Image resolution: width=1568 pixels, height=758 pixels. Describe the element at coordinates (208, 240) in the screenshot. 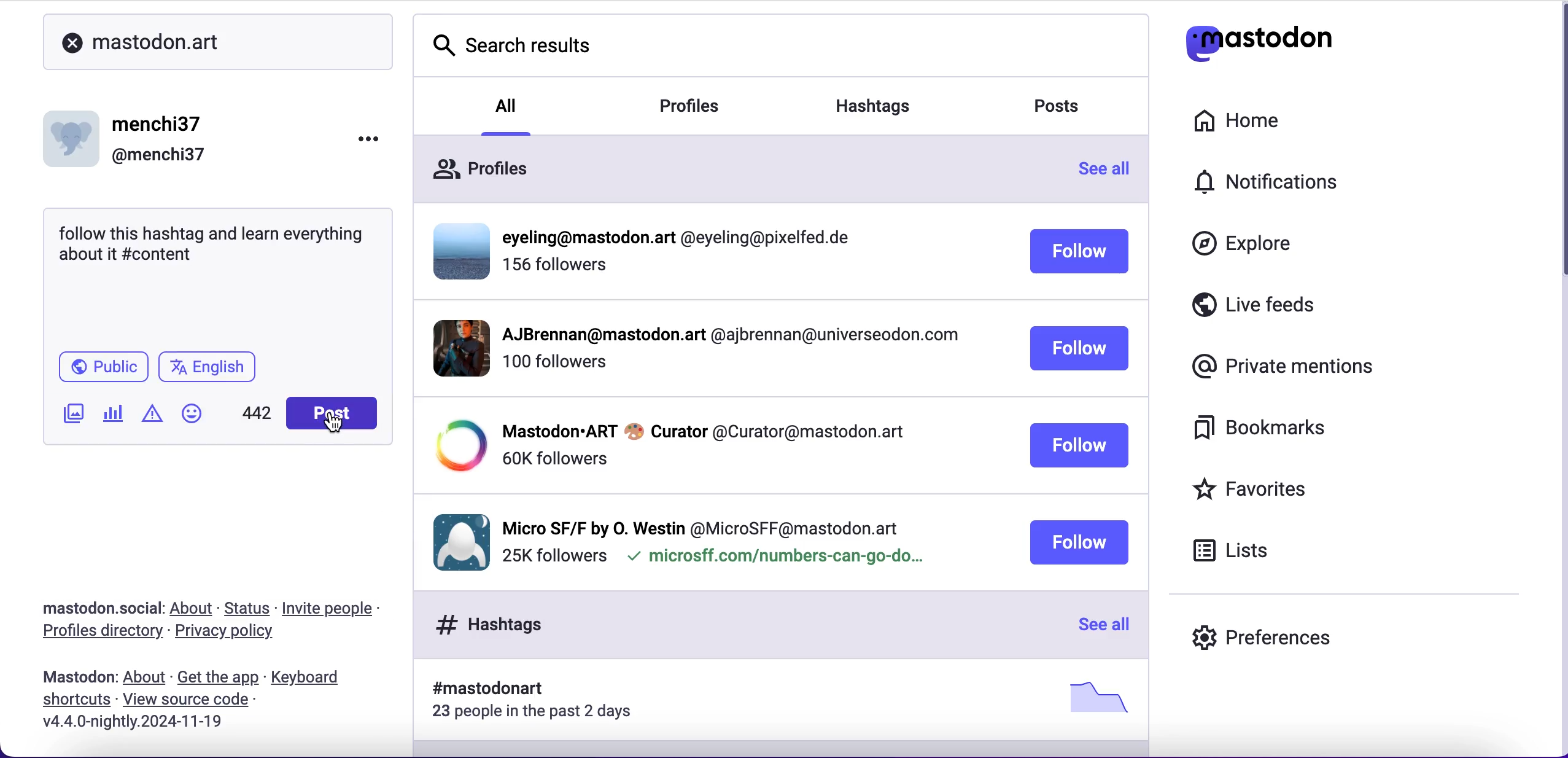

I see `text` at that location.